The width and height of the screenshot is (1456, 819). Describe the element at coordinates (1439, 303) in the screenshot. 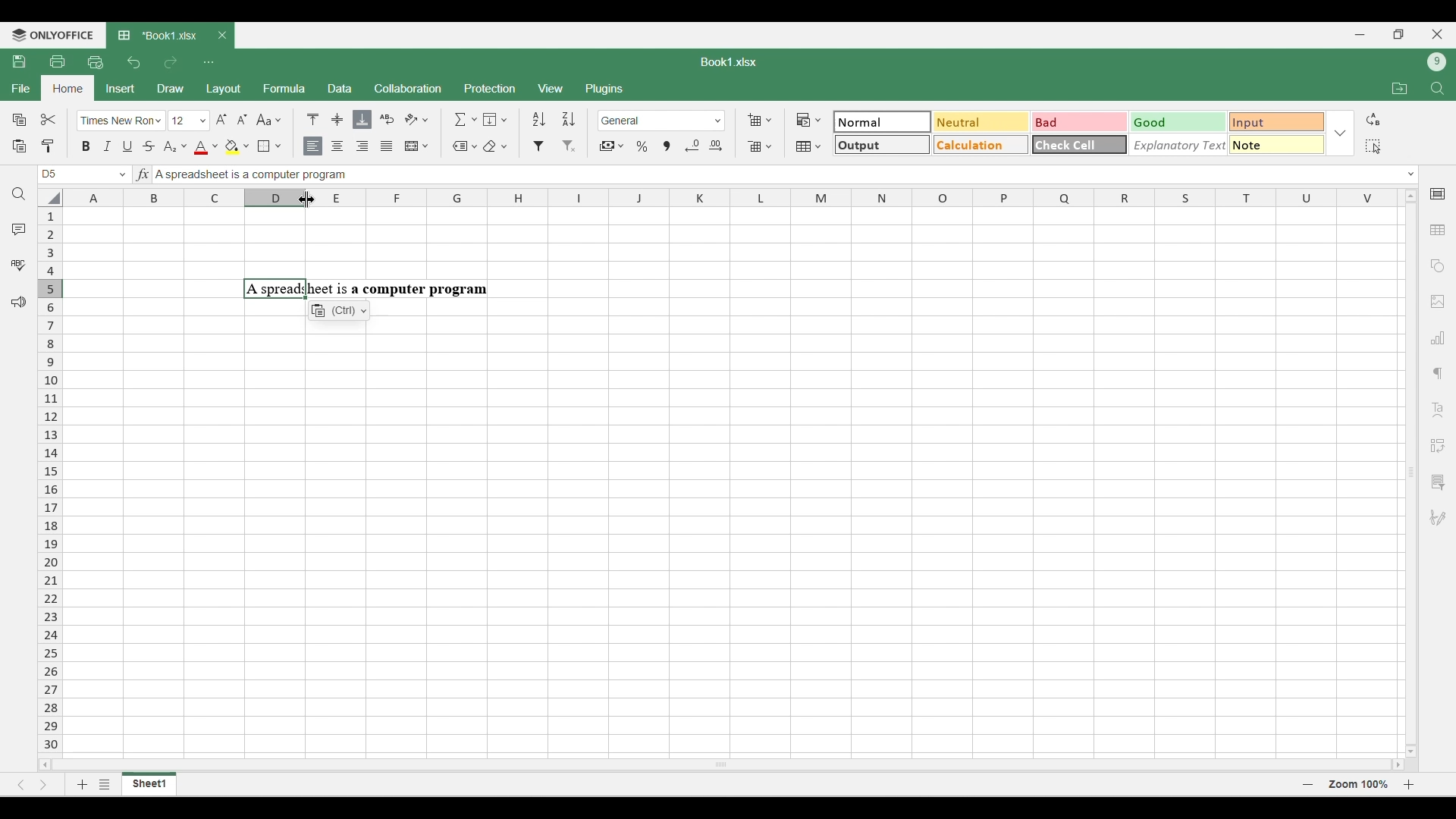

I see `Insert image` at that location.